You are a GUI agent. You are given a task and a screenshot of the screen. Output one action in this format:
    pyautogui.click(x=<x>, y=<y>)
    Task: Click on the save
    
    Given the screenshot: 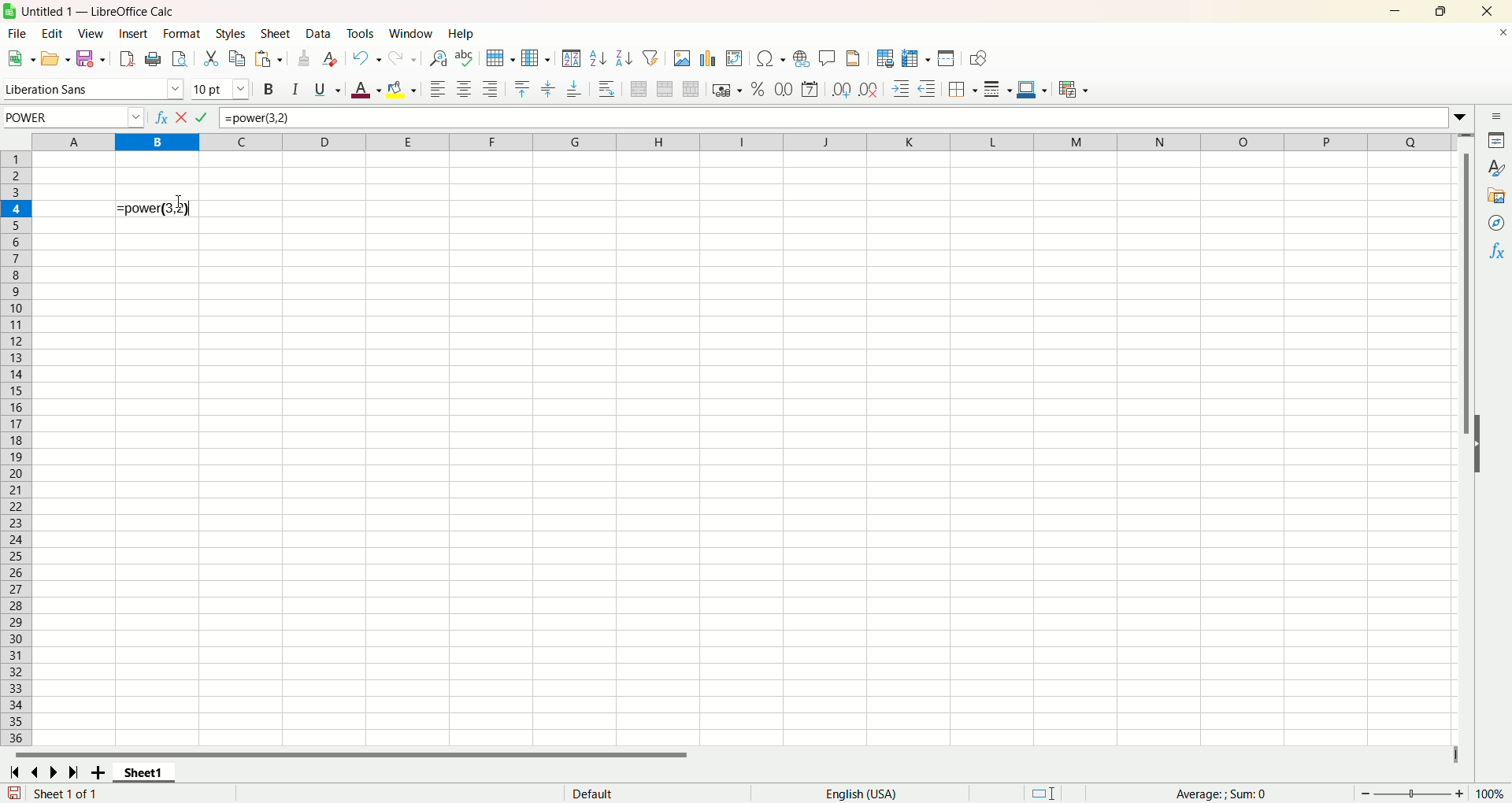 What is the action you would take?
    pyautogui.click(x=14, y=793)
    